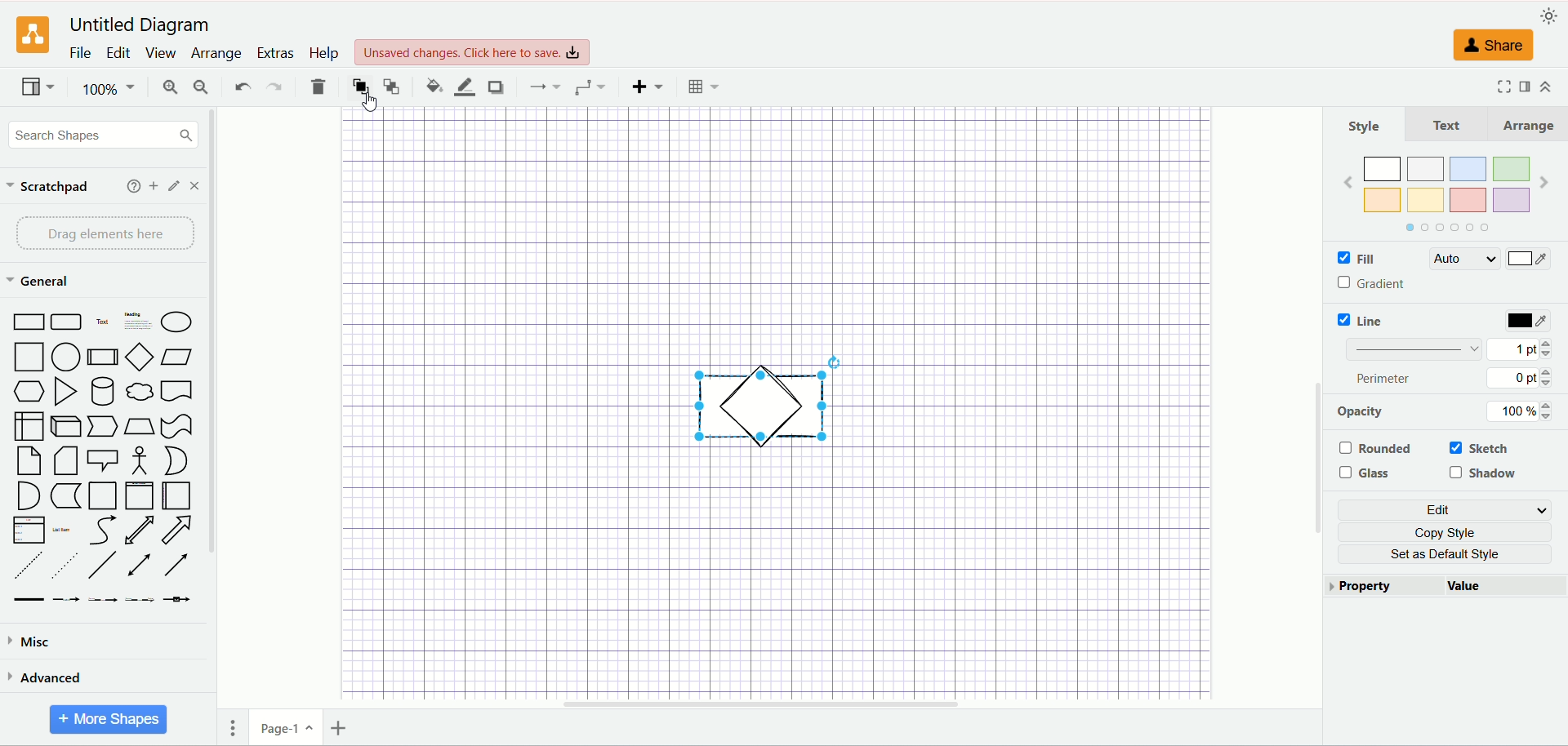 Image resolution: width=1568 pixels, height=746 pixels. I want to click on 1 pt, so click(1529, 350).